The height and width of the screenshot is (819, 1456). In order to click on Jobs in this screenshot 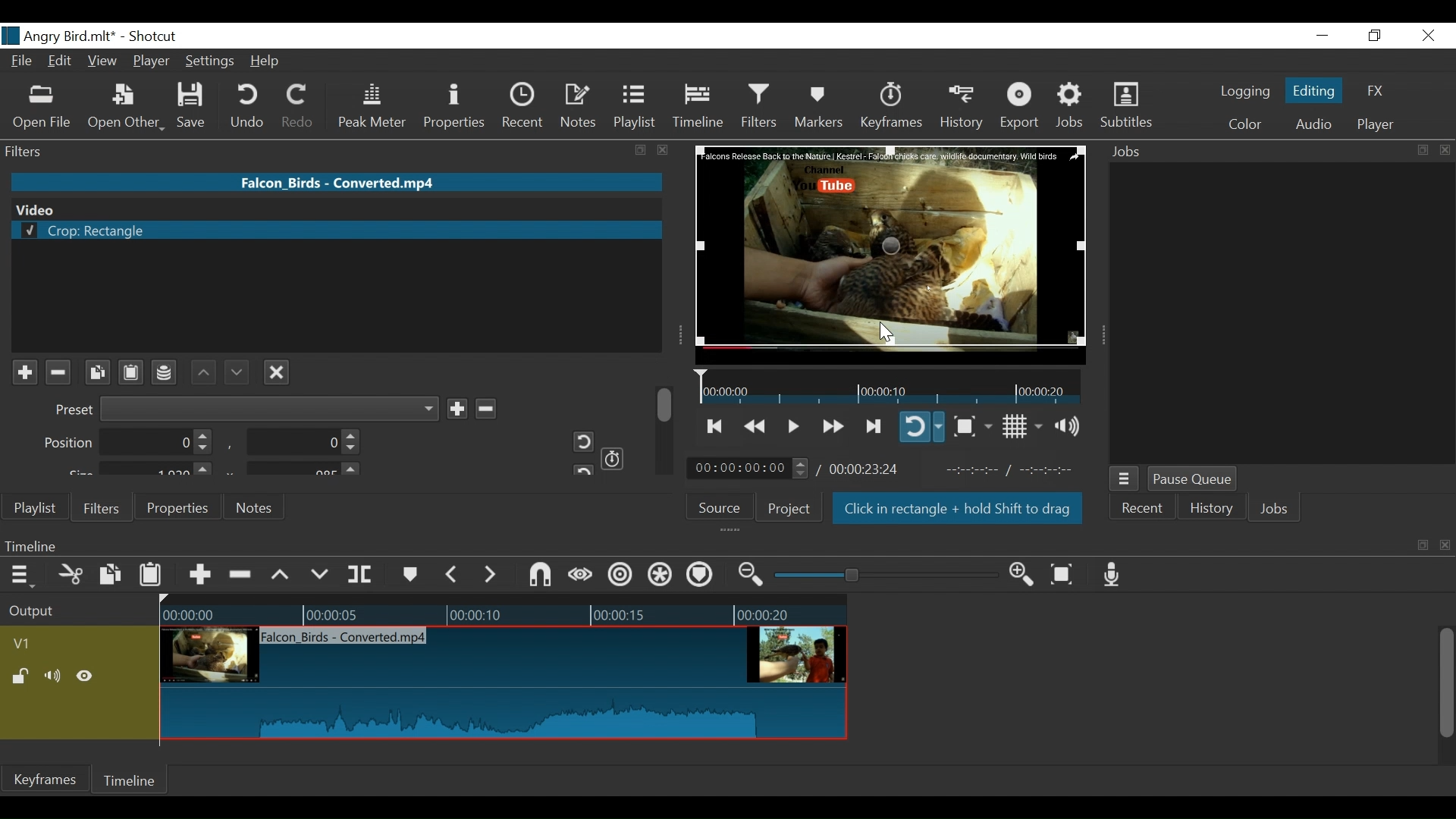, I will do `click(1275, 510)`.